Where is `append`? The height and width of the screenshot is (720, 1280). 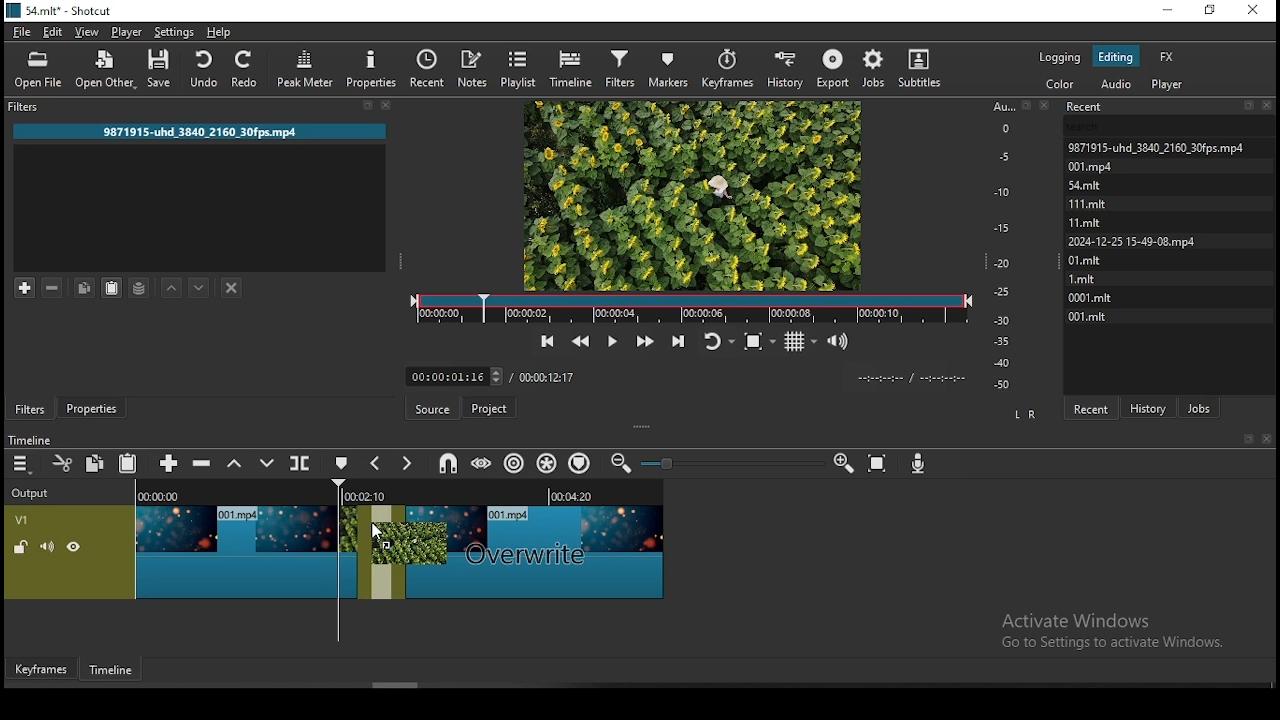
append is located at coordinates (169, 463).